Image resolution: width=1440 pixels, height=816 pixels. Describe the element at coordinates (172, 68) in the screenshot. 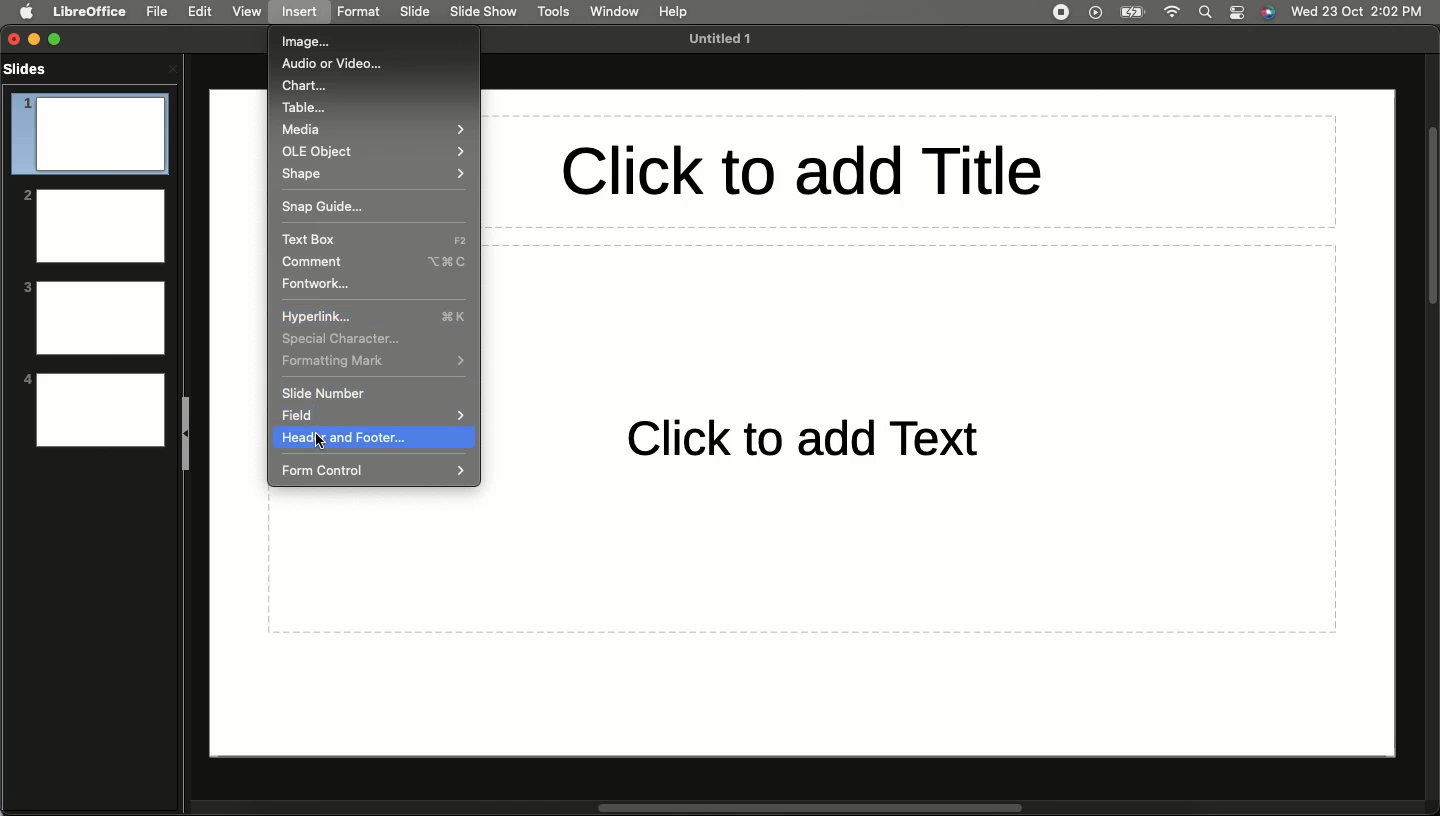

I see `Close` at that location.